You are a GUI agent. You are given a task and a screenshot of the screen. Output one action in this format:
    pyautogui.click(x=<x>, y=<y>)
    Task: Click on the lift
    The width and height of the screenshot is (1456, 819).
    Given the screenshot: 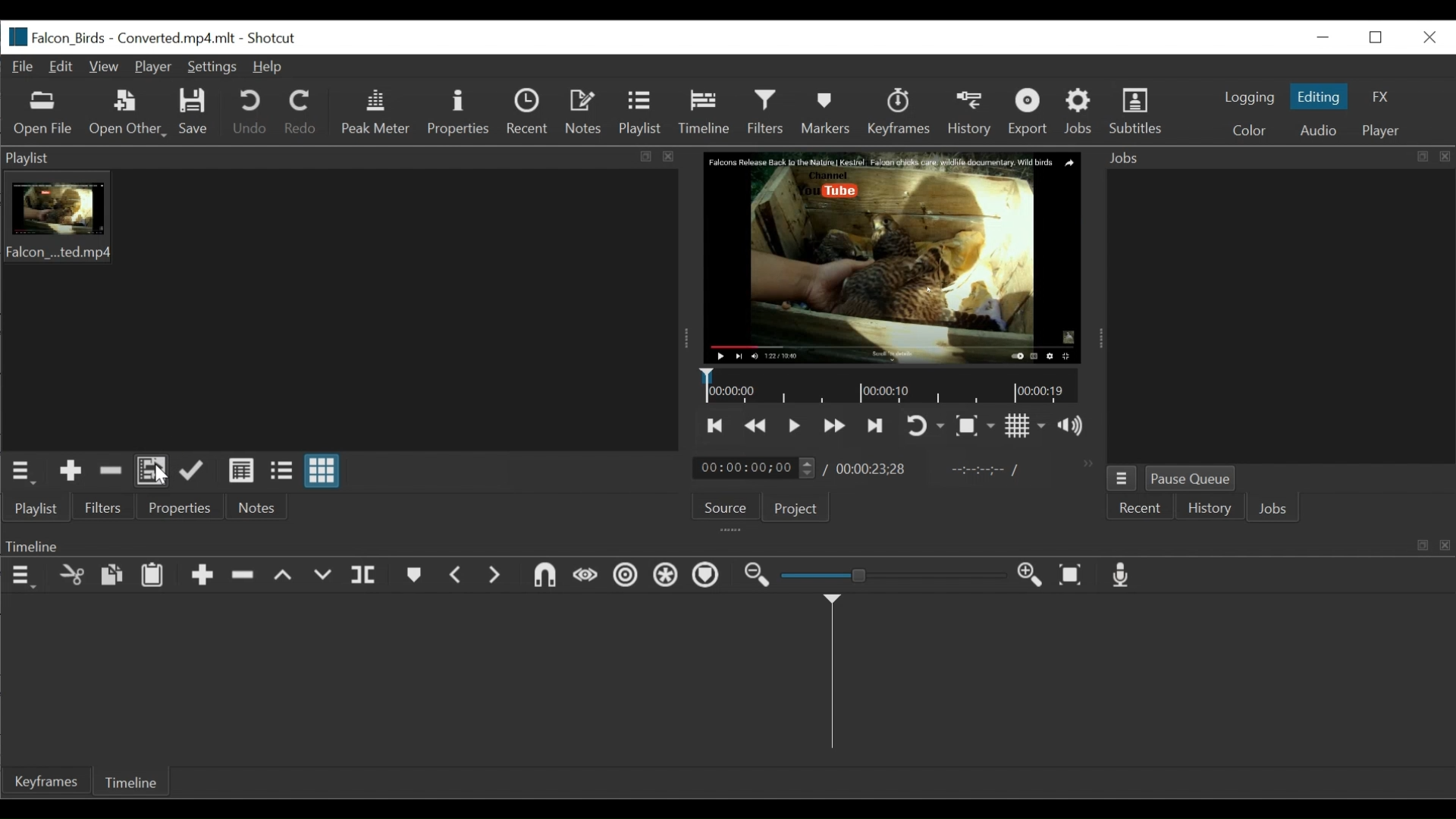 What is the action you would take?
    pyautogui.click(x=284, y=576)
    